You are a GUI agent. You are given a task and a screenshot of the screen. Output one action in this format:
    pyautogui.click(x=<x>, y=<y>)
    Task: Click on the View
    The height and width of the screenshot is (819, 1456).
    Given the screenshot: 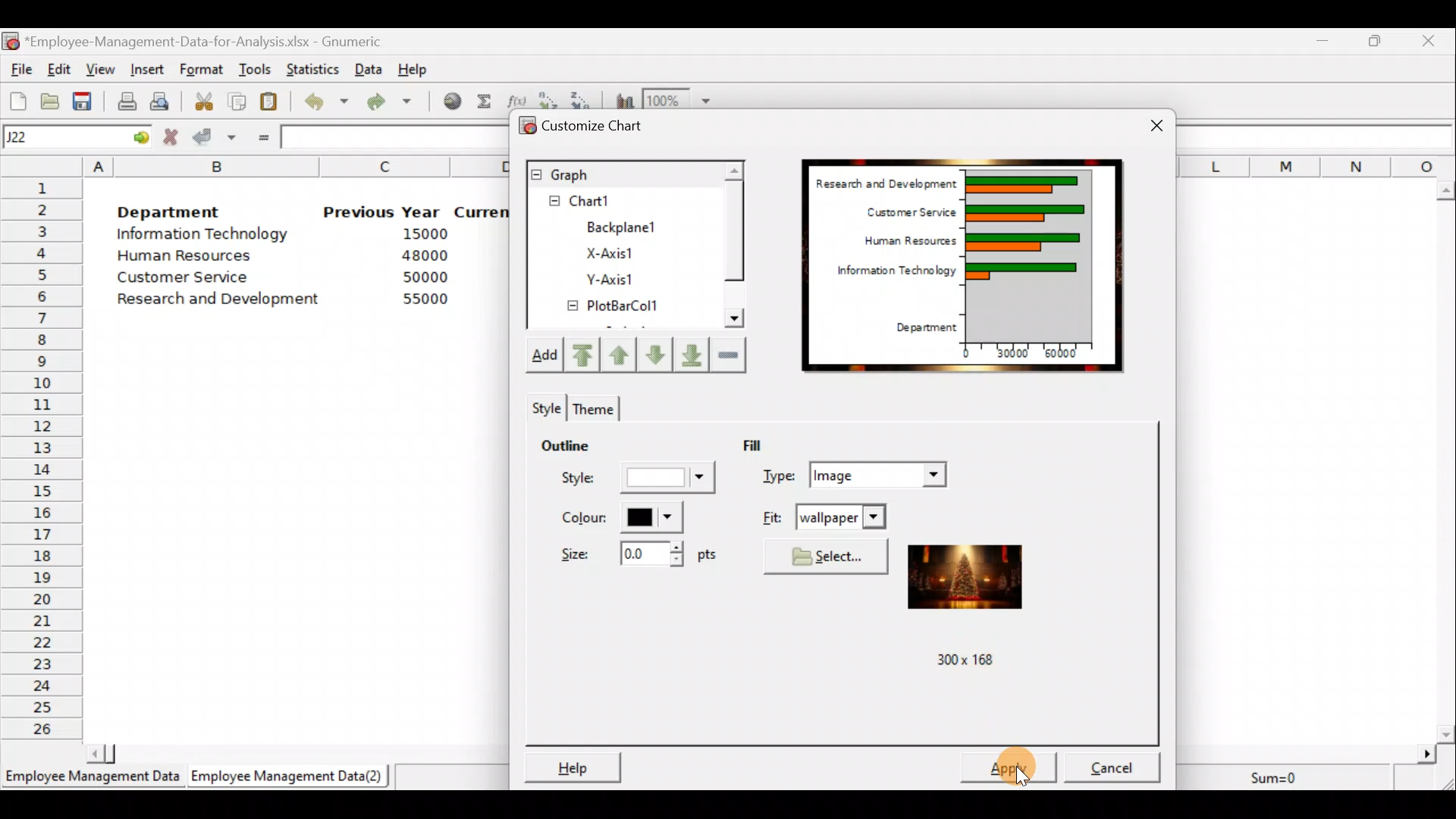 What is the action you would take?
    pyautogui.click(x=101, y=68)
    